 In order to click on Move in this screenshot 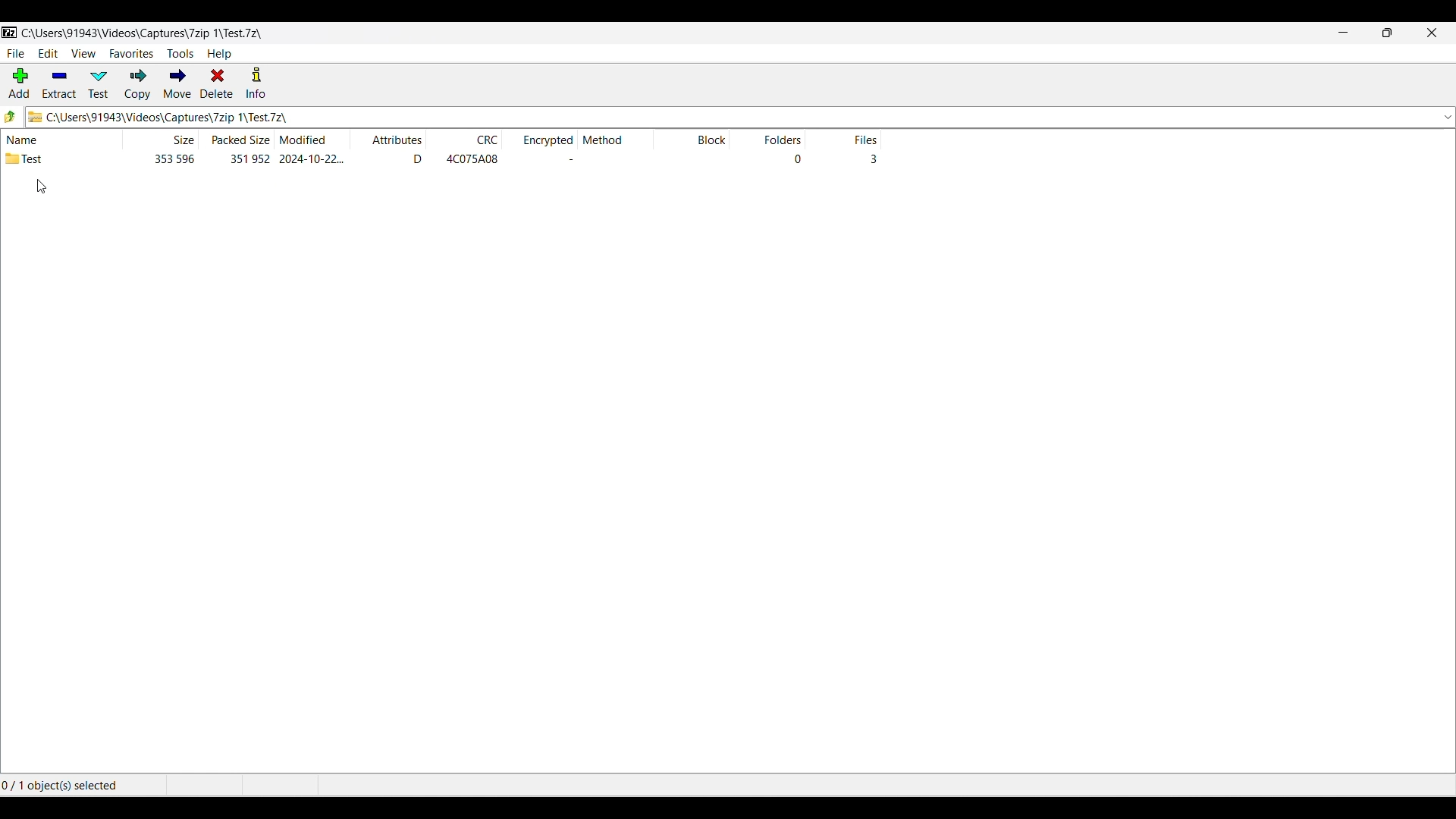, I will do `click(177, 83)`.